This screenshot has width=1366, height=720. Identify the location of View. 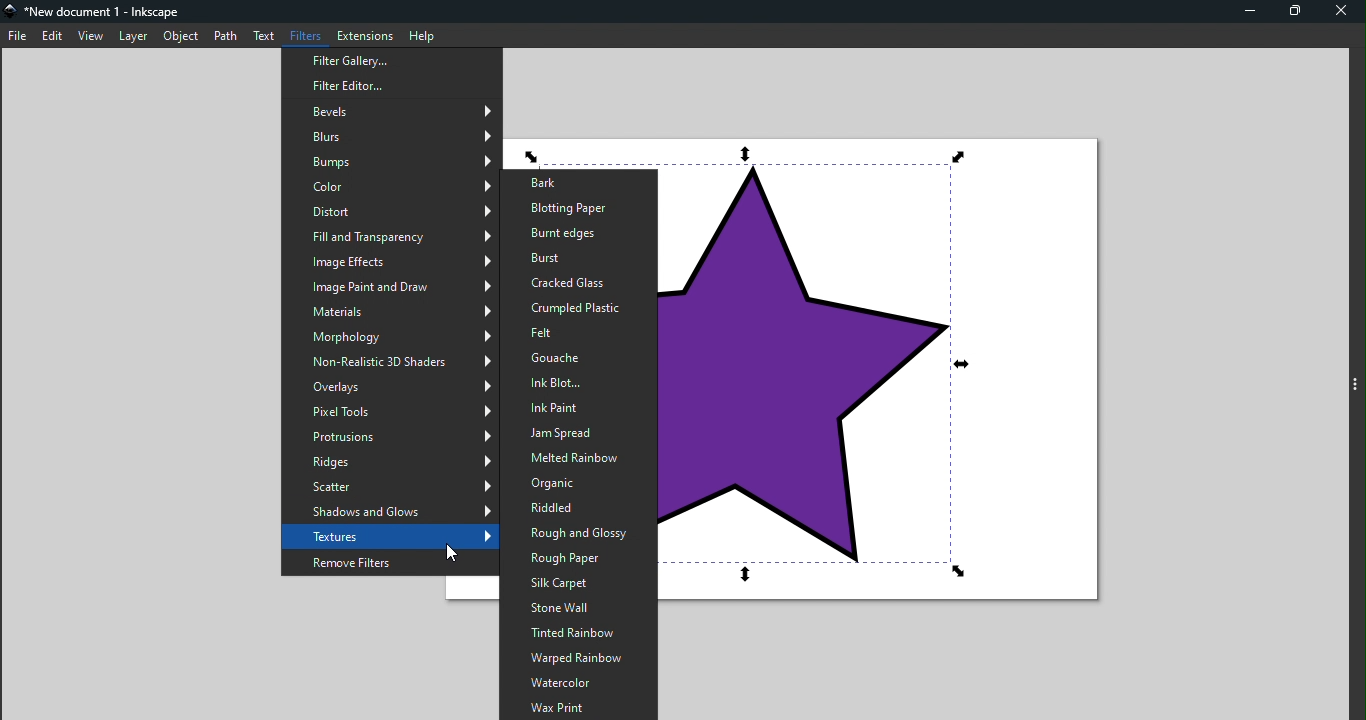
(91, 35).